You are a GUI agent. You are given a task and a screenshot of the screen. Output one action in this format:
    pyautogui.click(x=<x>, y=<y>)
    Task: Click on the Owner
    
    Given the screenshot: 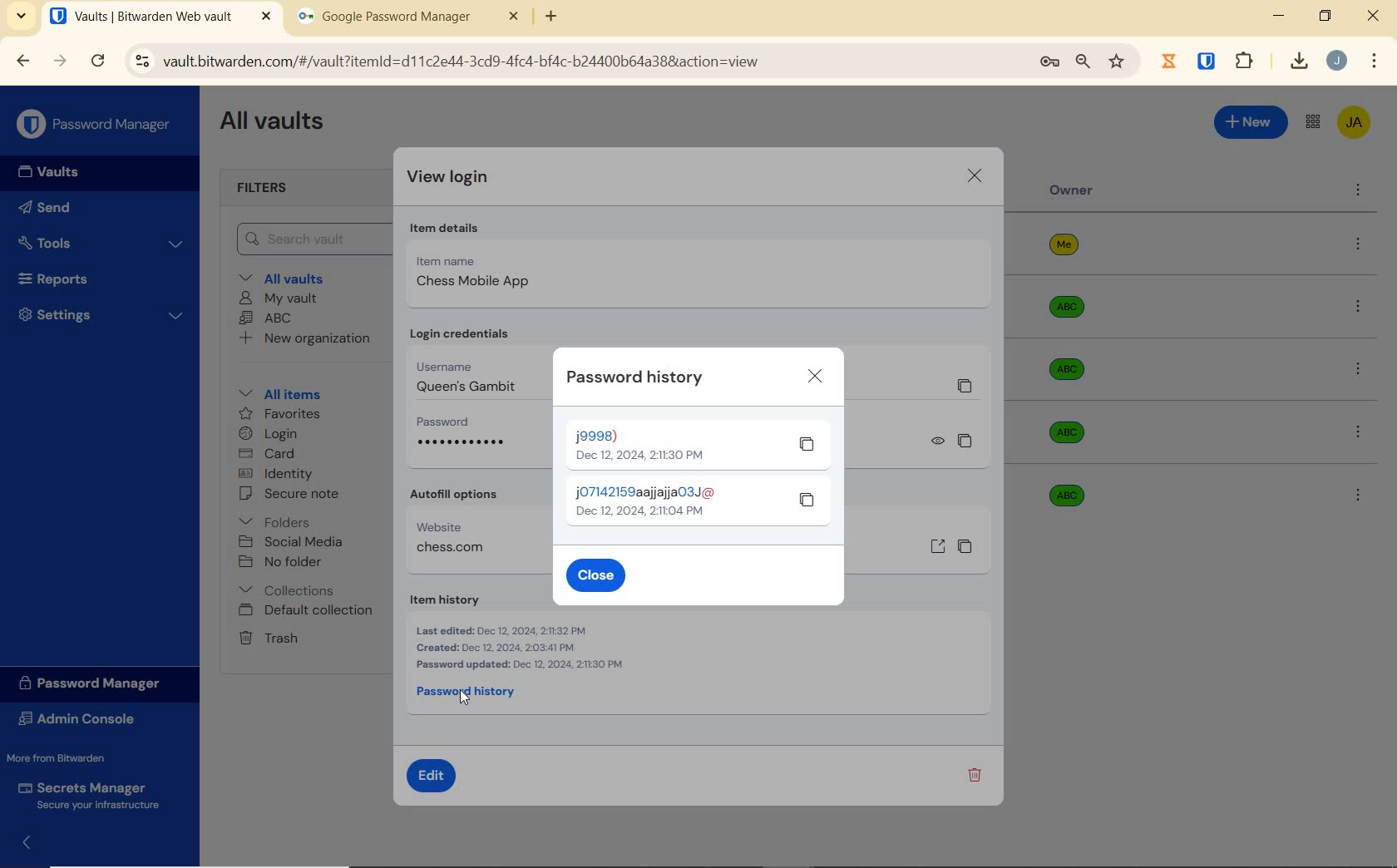 What is the action you would take?
    pyautogui.click(x=1069, y=190)
    